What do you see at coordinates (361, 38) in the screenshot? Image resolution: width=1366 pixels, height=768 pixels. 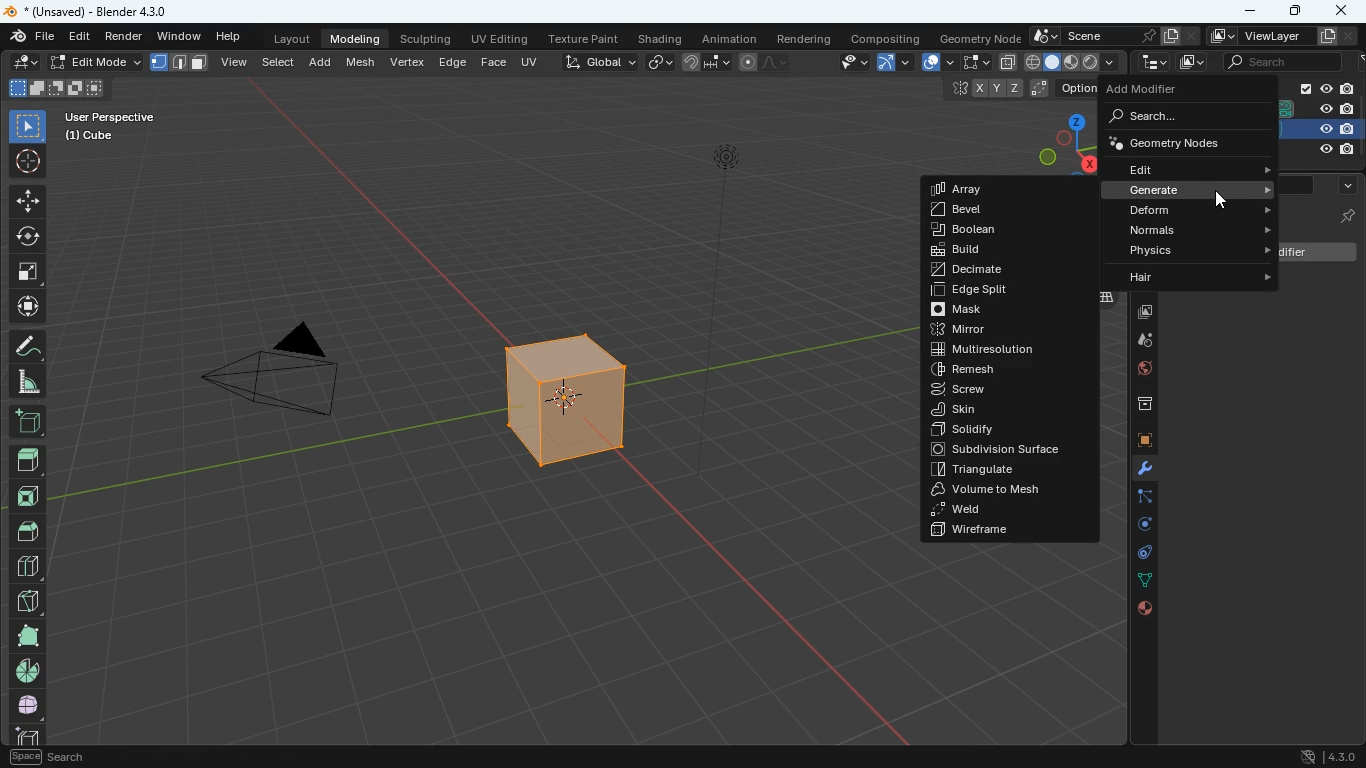 I see `modeling` at bounding box center [361, 38].